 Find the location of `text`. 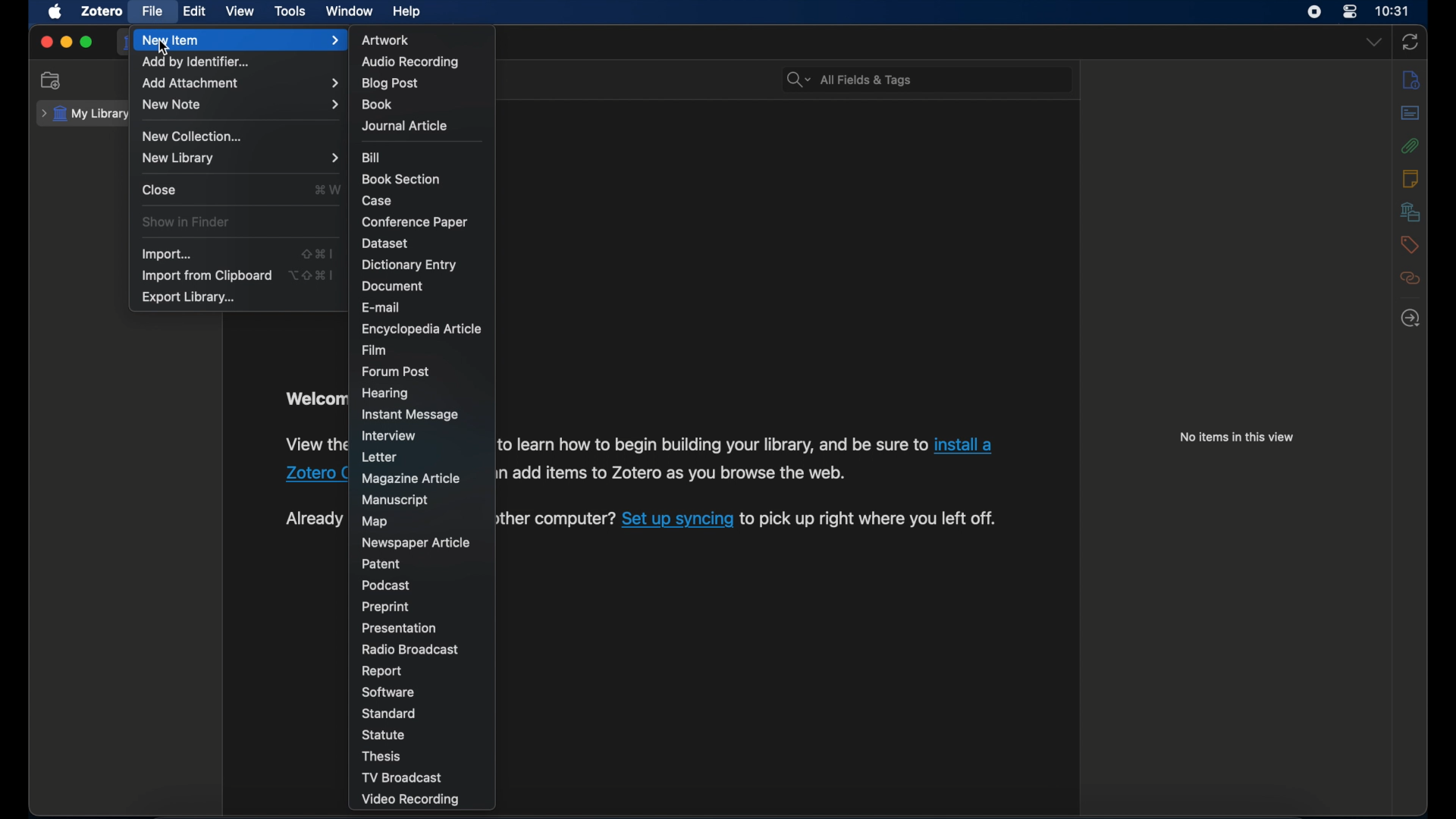

text is located at coordinates (712, 444).